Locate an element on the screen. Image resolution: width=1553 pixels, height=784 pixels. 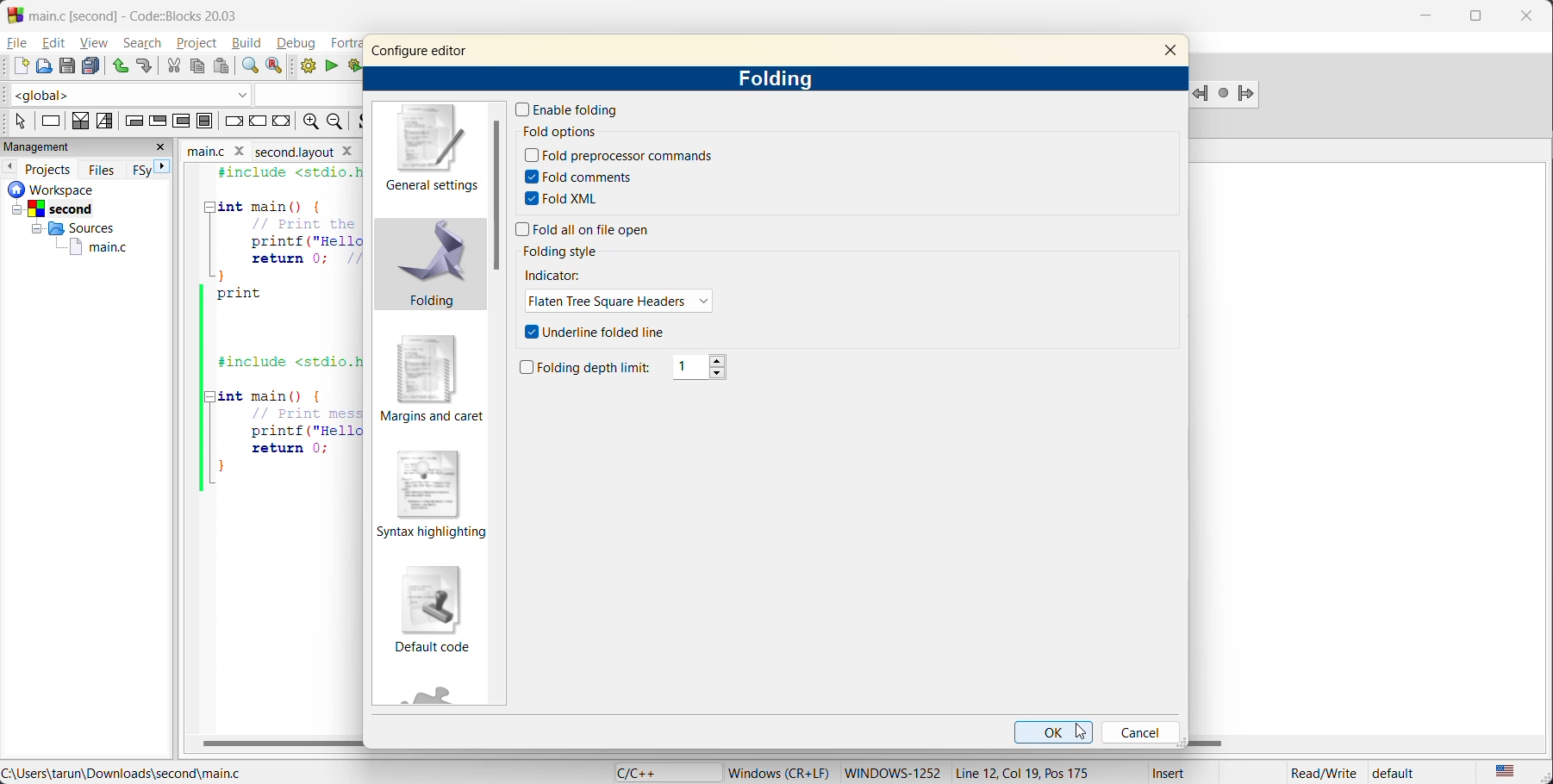
cancel is located at coordinates (1143, 732).